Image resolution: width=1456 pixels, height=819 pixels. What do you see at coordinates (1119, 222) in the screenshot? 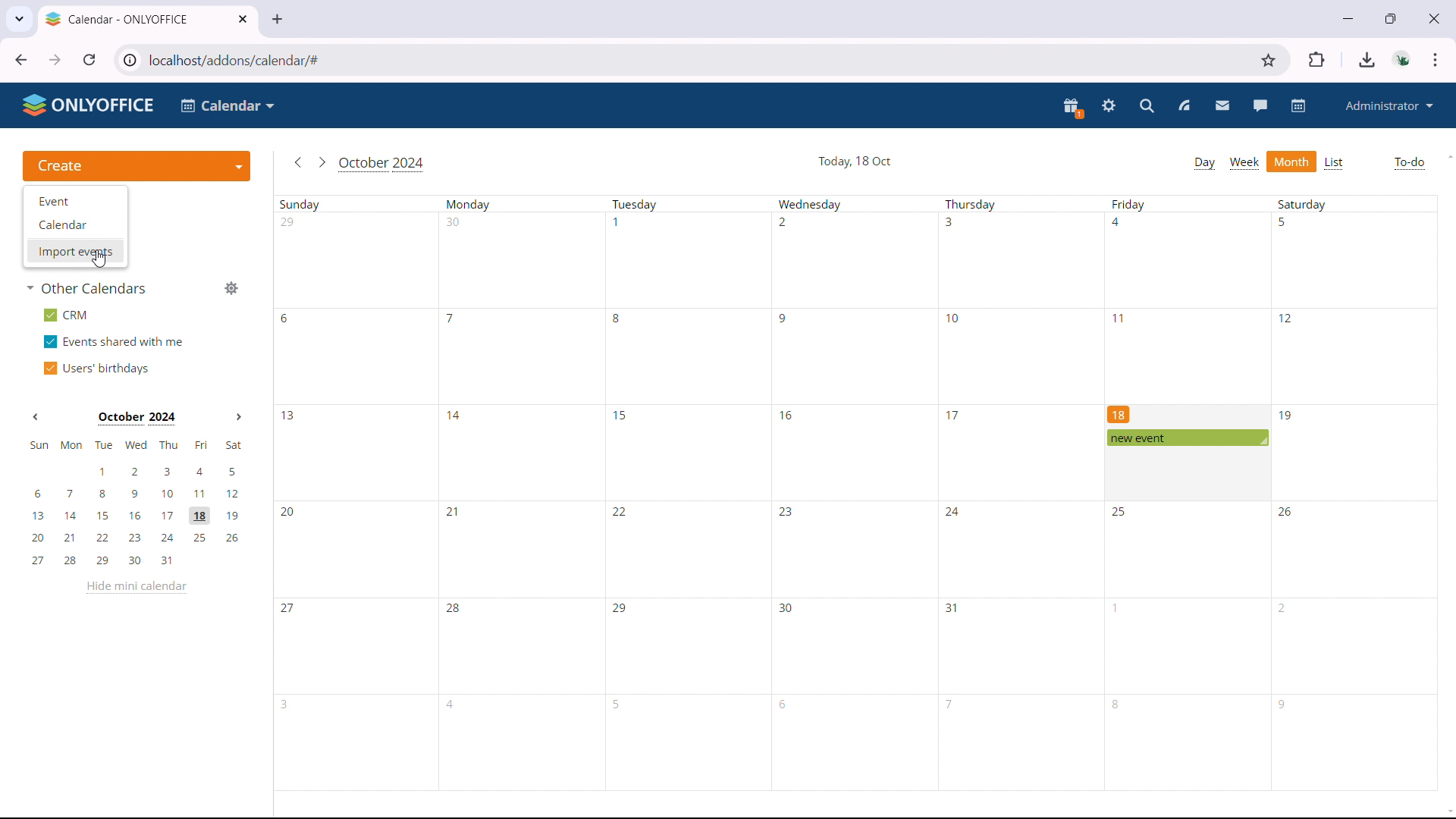
I see `4` at bounding box center [1119, 222].